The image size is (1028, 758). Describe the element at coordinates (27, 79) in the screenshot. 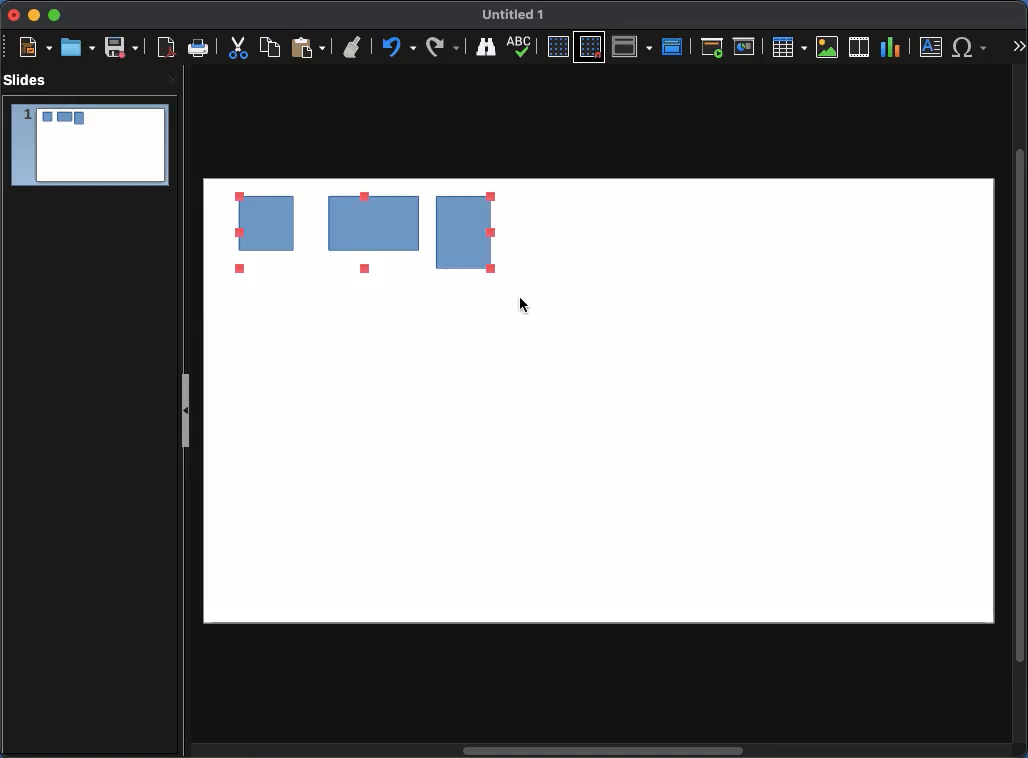

I see `Slides` at that location.